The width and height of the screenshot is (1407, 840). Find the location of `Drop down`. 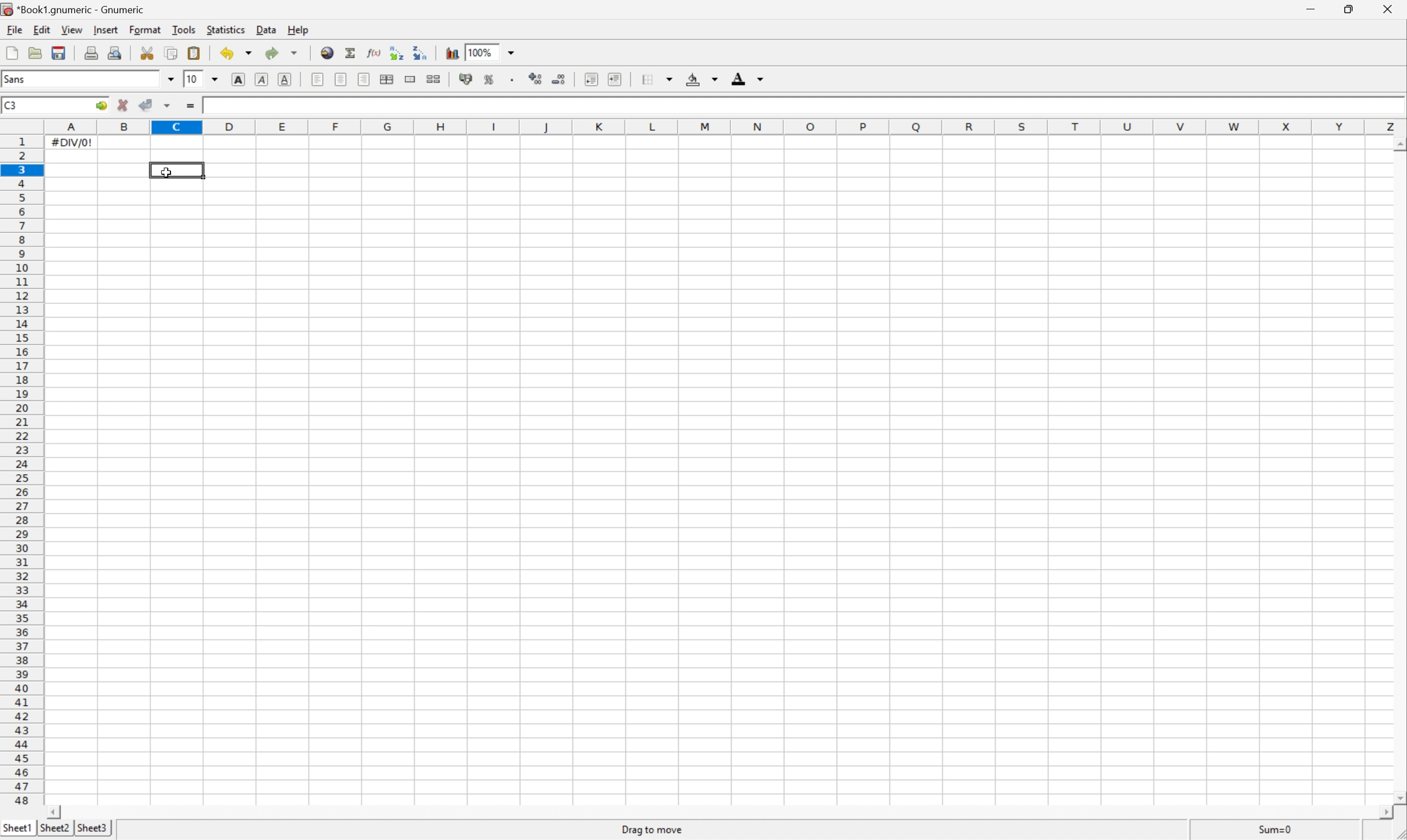

Drop down is located at coordinates (669, 79).